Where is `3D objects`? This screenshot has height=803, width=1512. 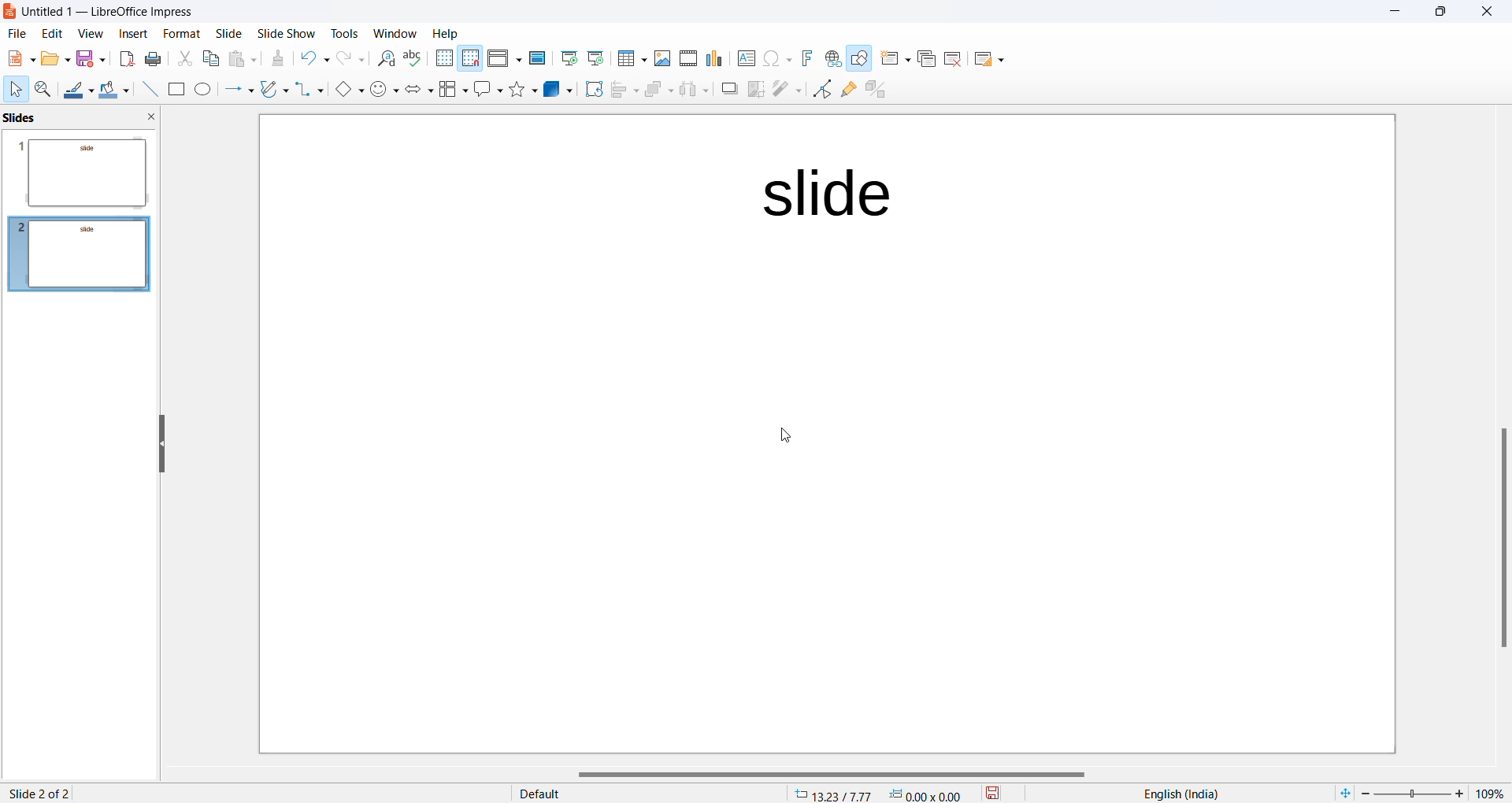 3D objects is located at coordinates (556, 91).